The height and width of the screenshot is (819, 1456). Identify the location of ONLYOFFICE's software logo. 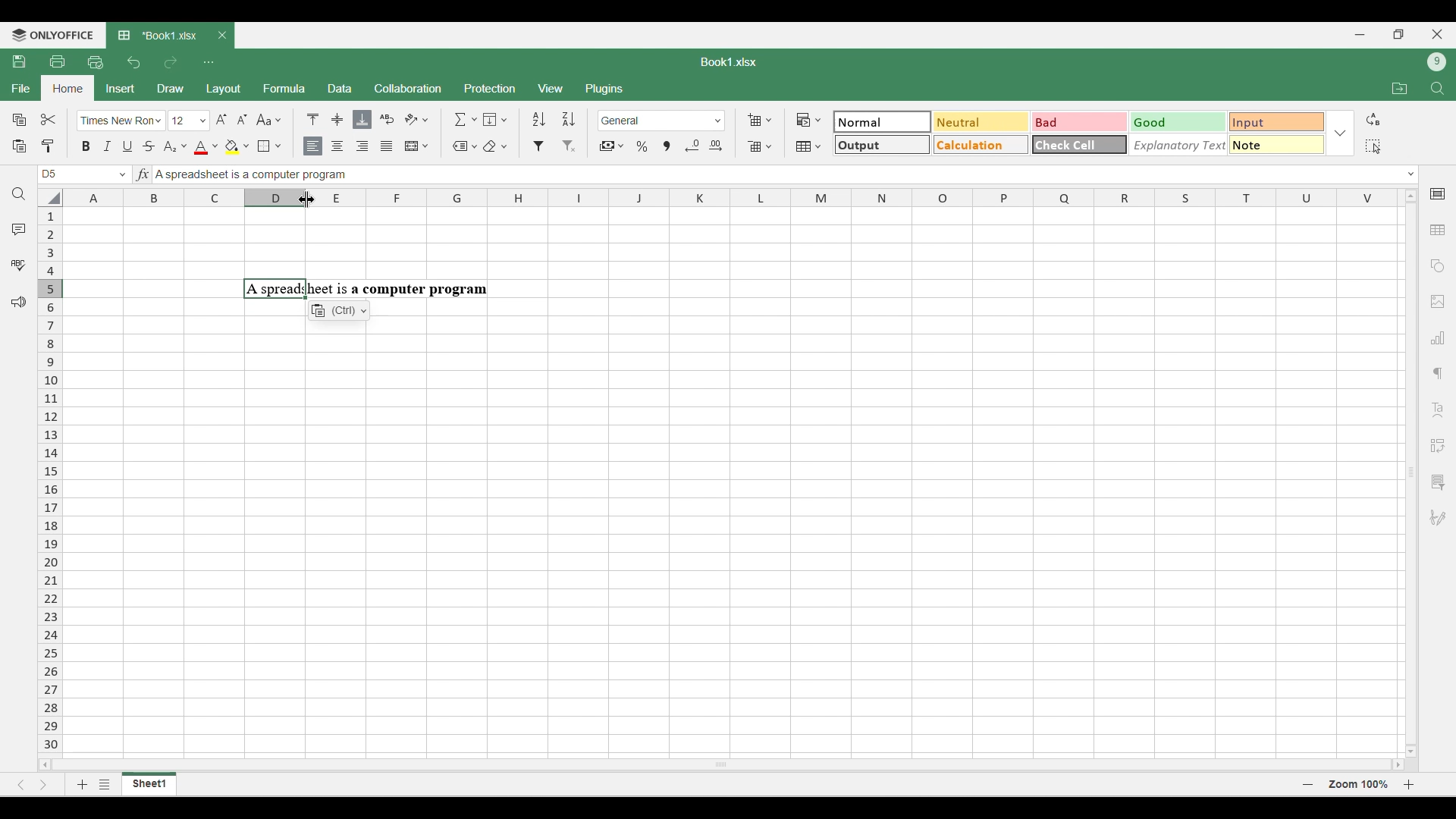
(53, 36).